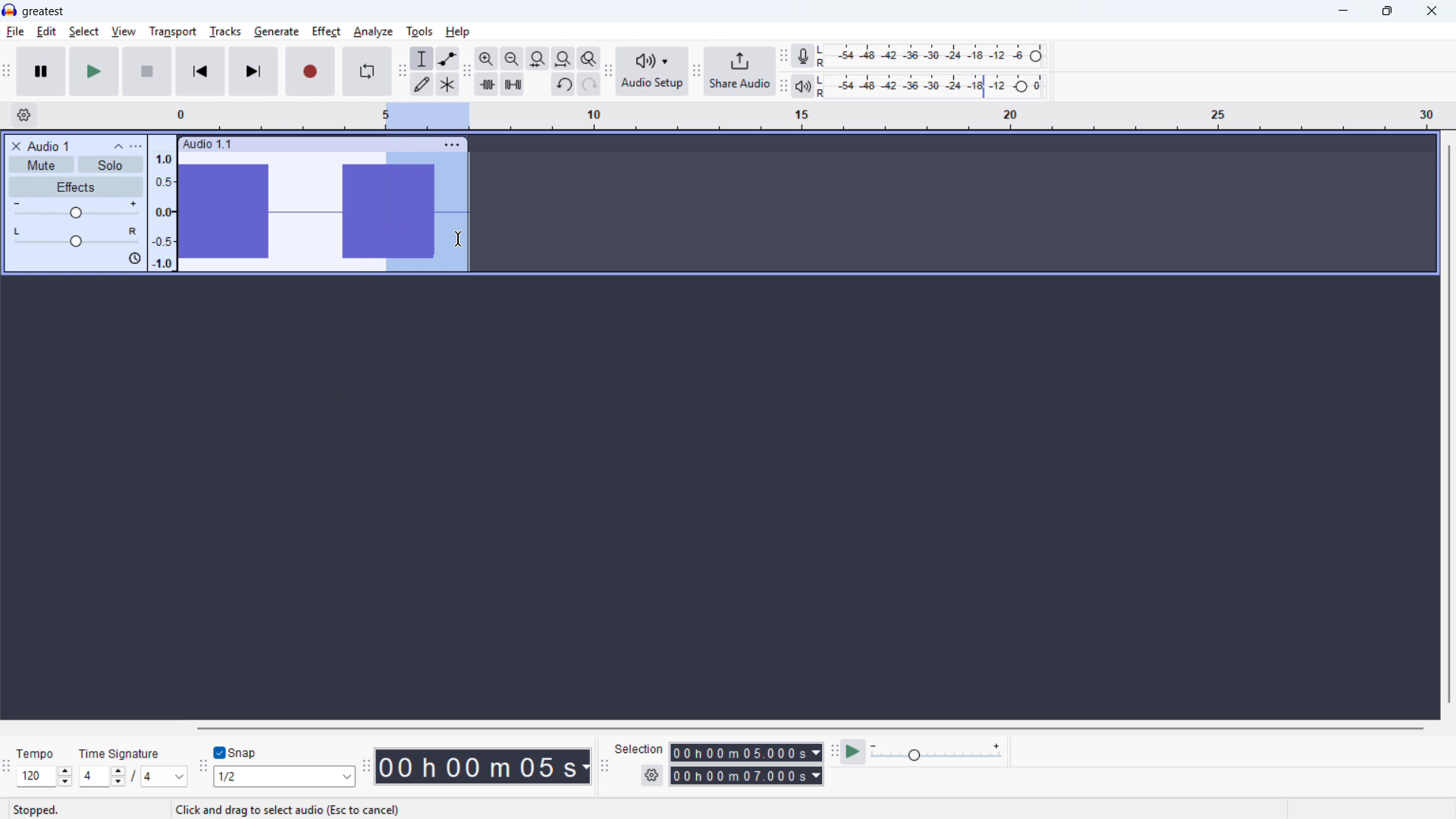 This screenshot has width=1456, height=819. I want to click on Solo , so click(111, 165).